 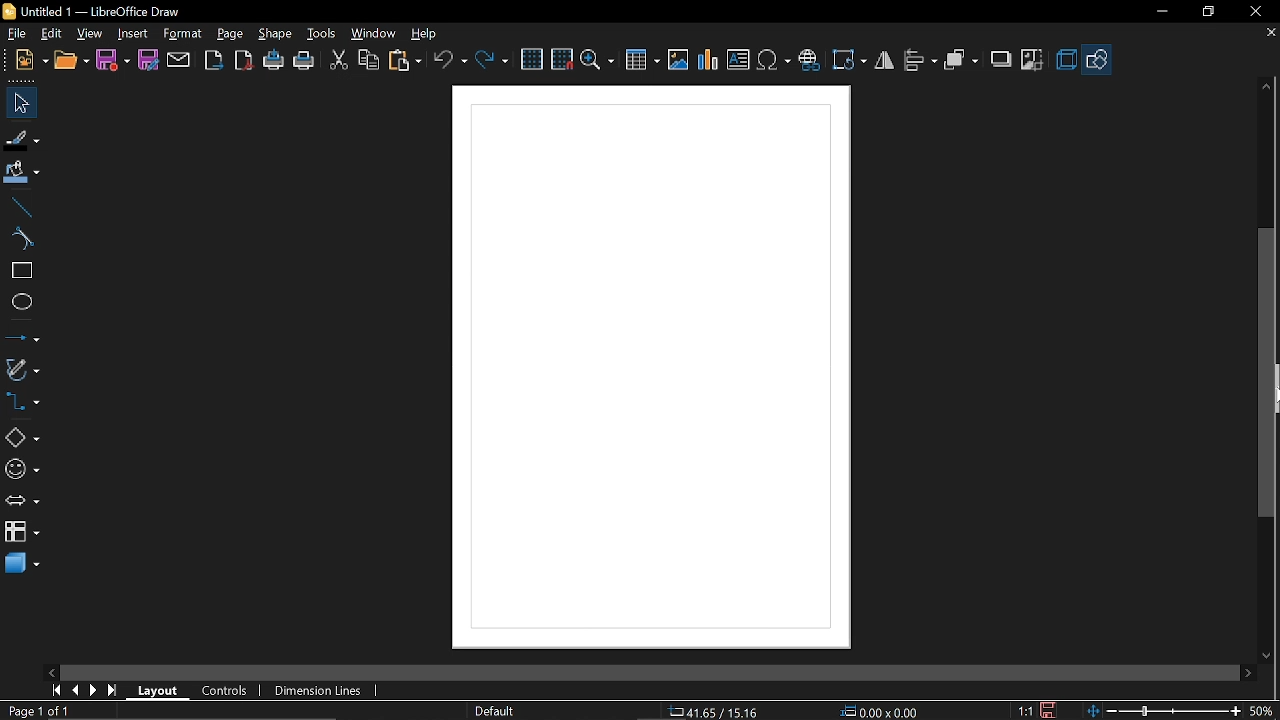 What do you see at coordinates (679, 60) in the screenshot?
I see `Insert image` at bounding box center [679, 60].